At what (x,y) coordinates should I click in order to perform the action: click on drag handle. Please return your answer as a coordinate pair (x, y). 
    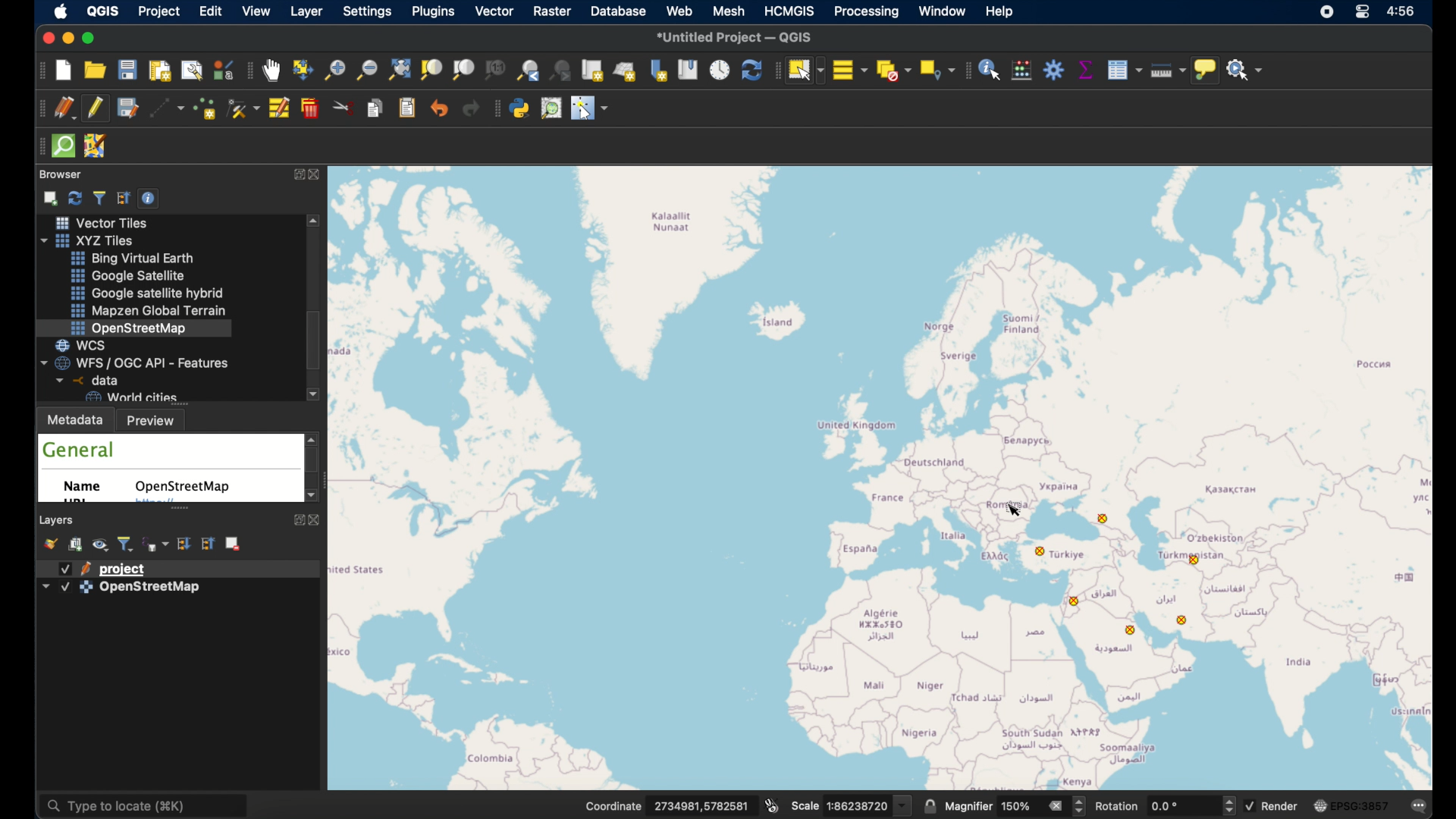
    Looking at the image, I should click on (775, 70).